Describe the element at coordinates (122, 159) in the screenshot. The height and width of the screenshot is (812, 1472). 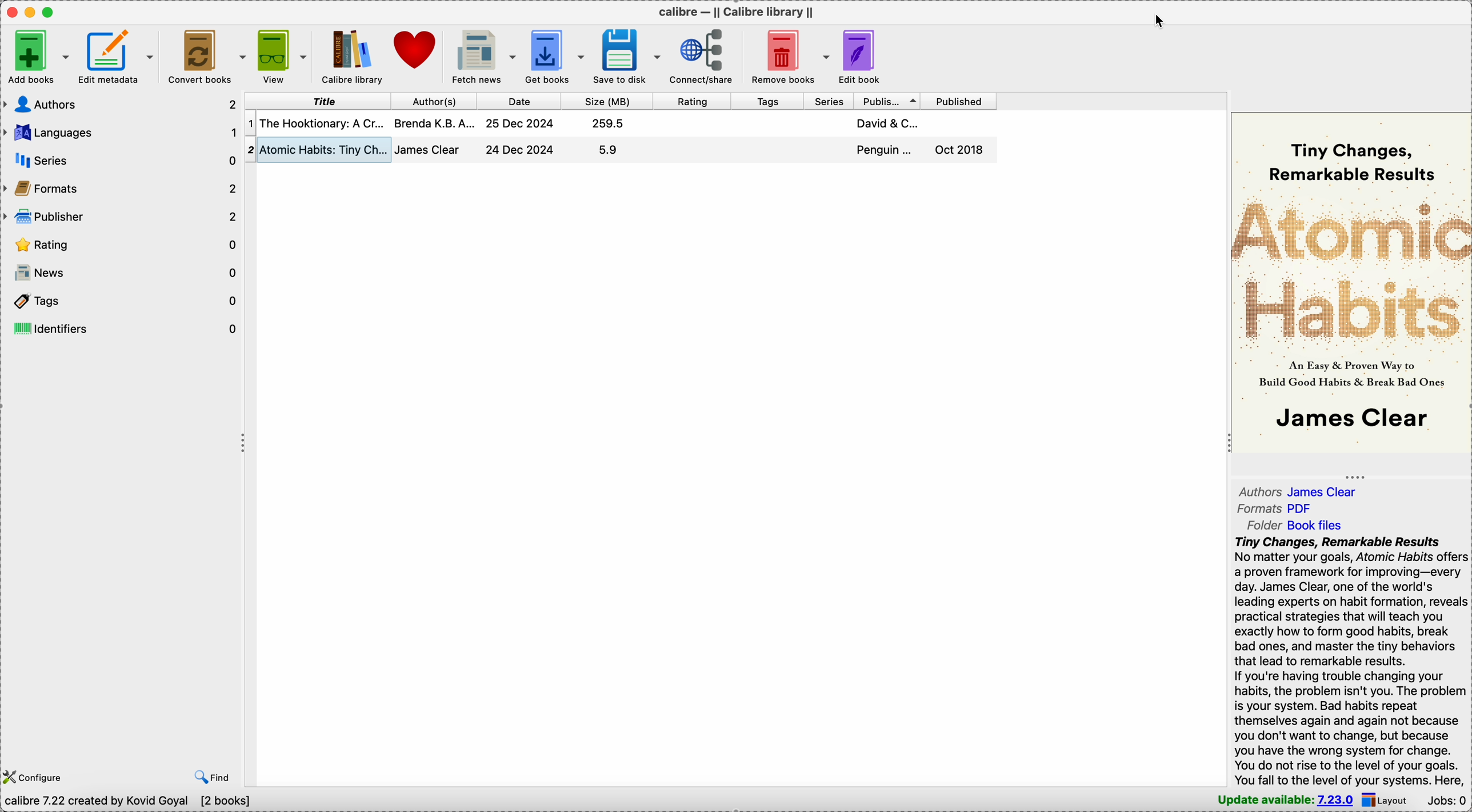
I see `series` at that location.